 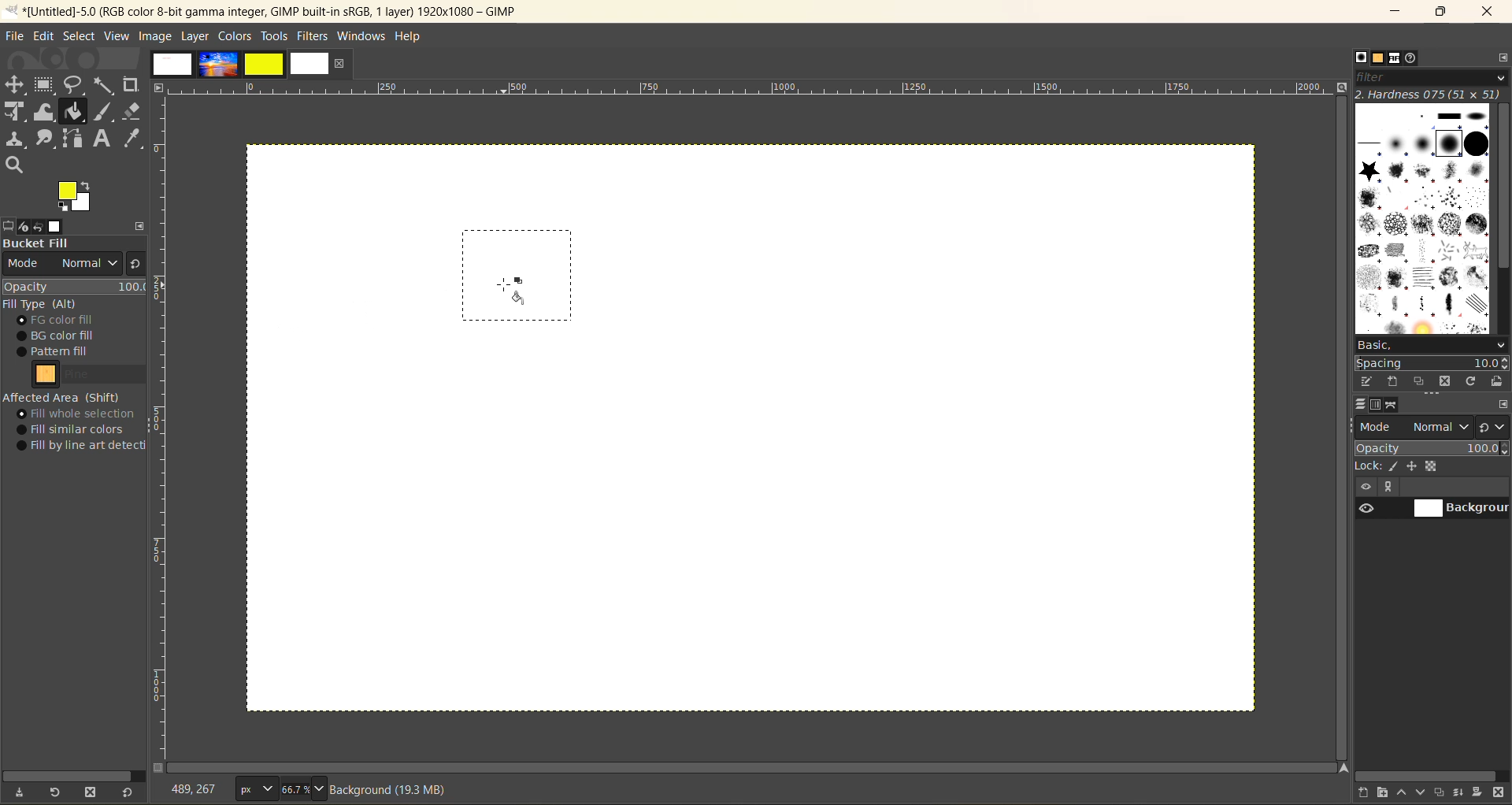 I want to click on cursor, so click(x=511, y=291).